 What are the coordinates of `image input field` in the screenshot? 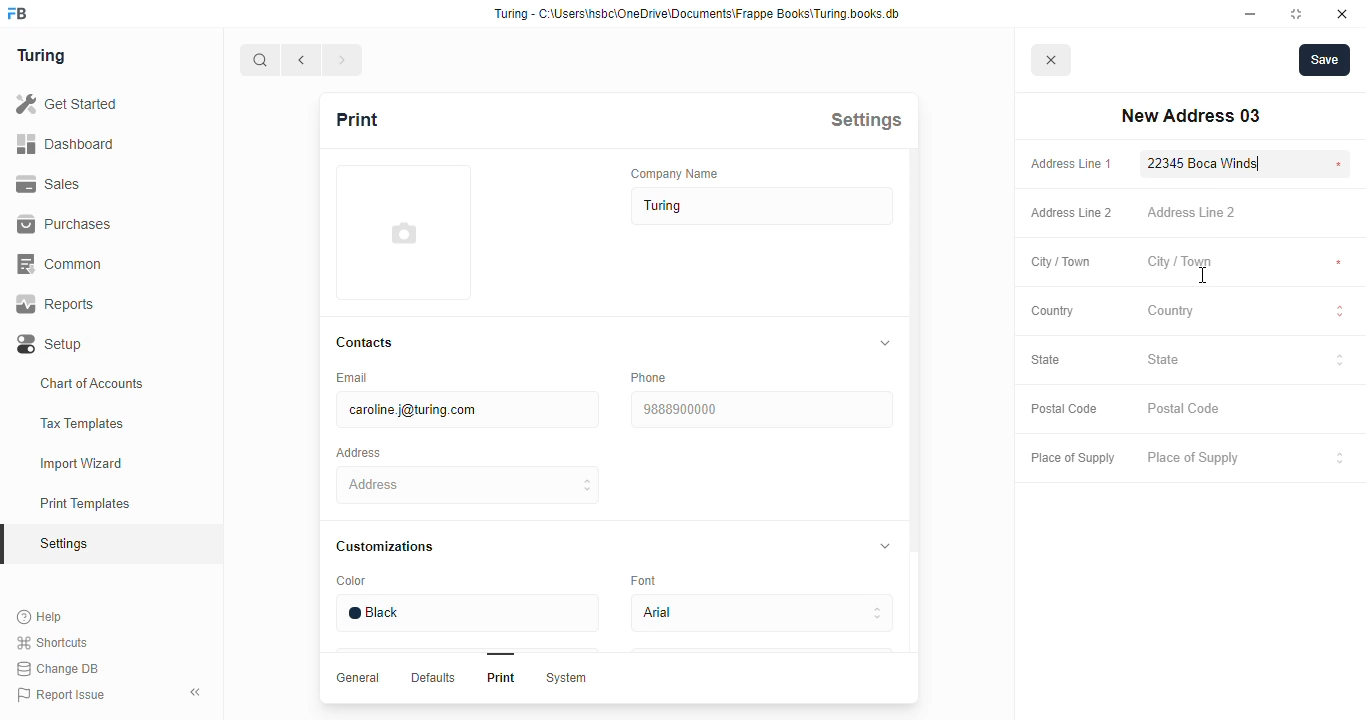 It's located at (401, 232).